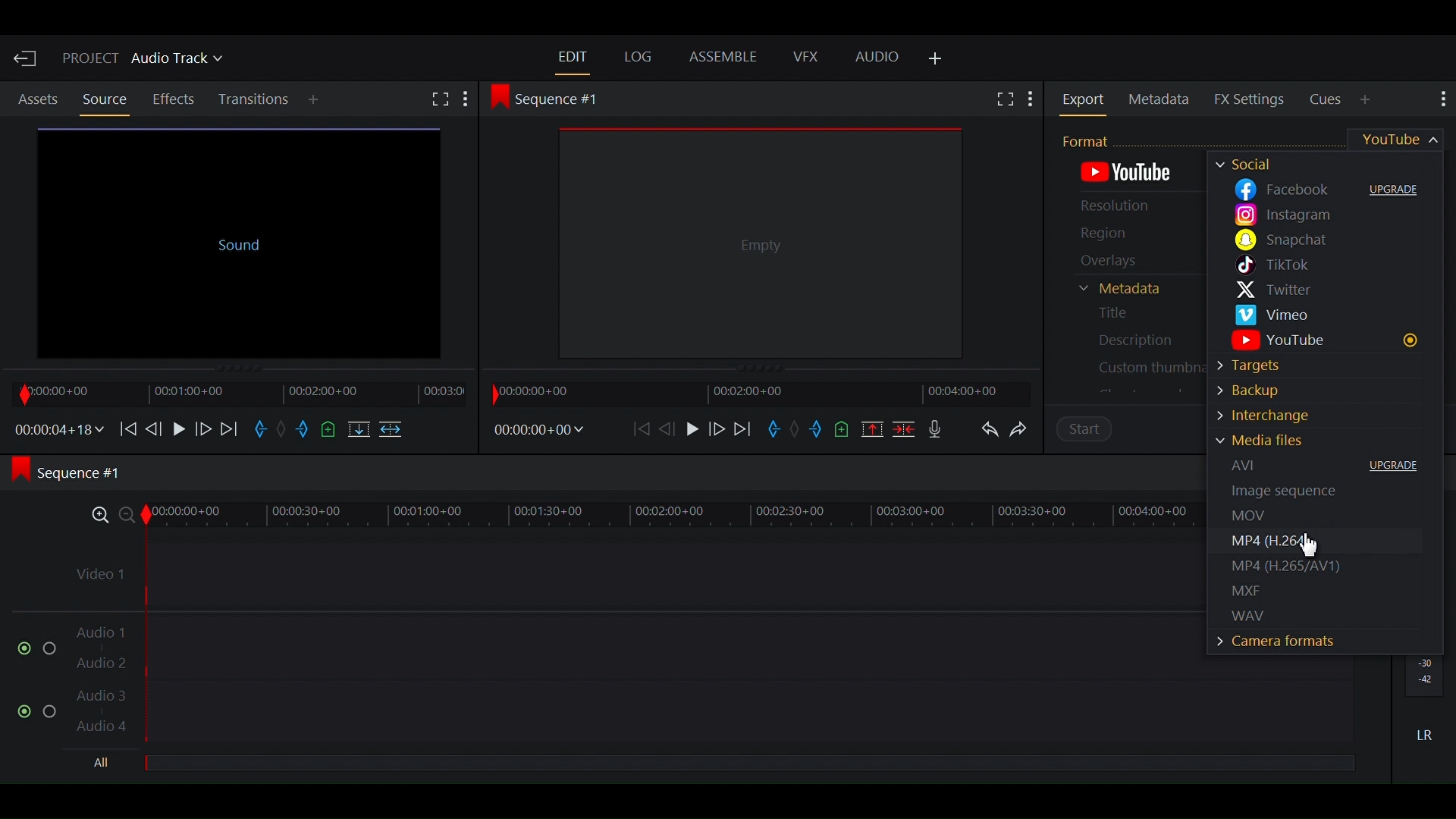 The height and width of the screenshot is (819, 1456). What do you see at coordinates (1288, 189) in the screenshot?
I see `Facebook` at bounding box center [1288, 189].